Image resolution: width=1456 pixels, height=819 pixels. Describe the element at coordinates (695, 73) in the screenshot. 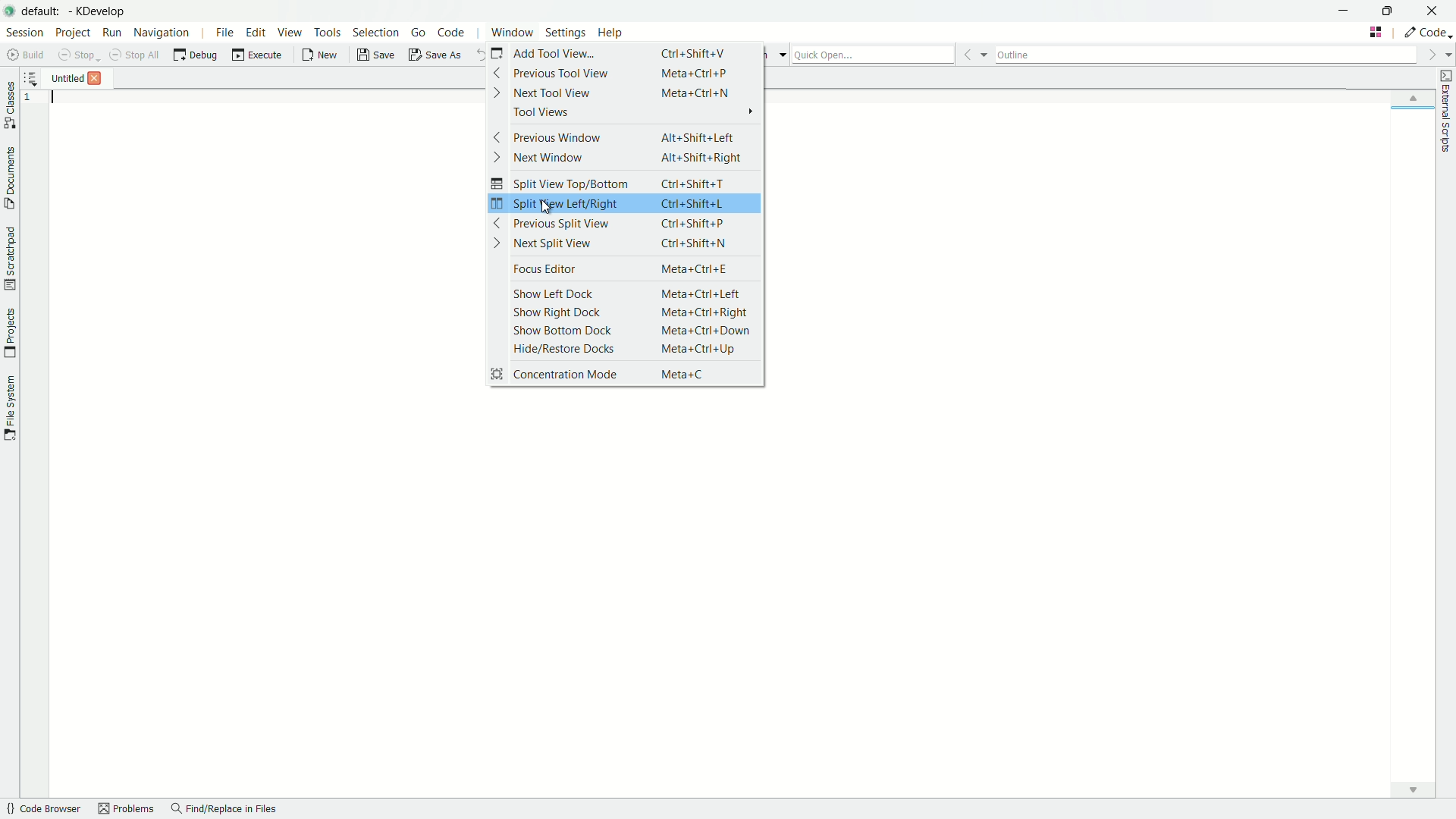

I see `Meta+Ctrl+P` at that location.